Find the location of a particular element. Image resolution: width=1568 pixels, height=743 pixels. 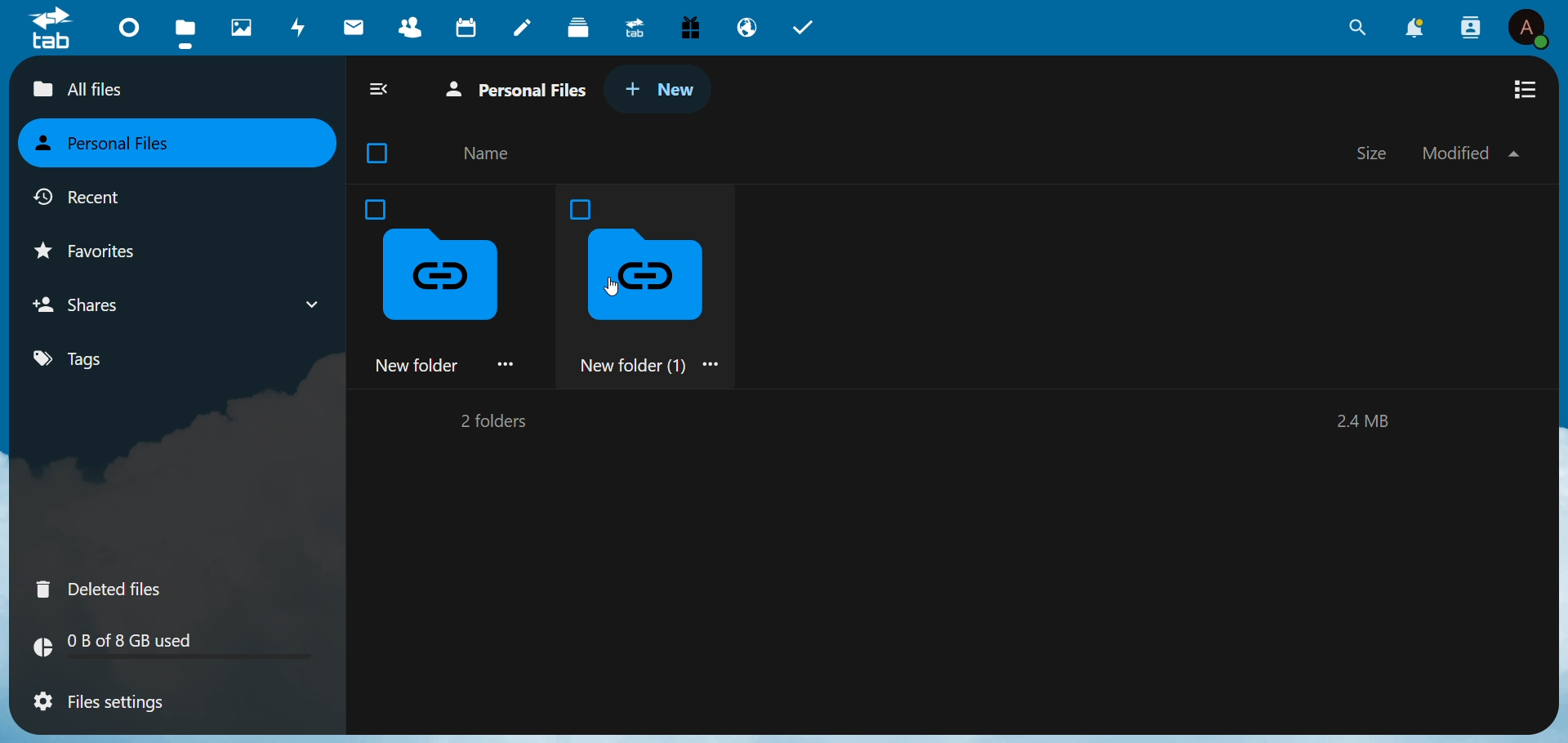

memory is located at coordinates (184, 645).